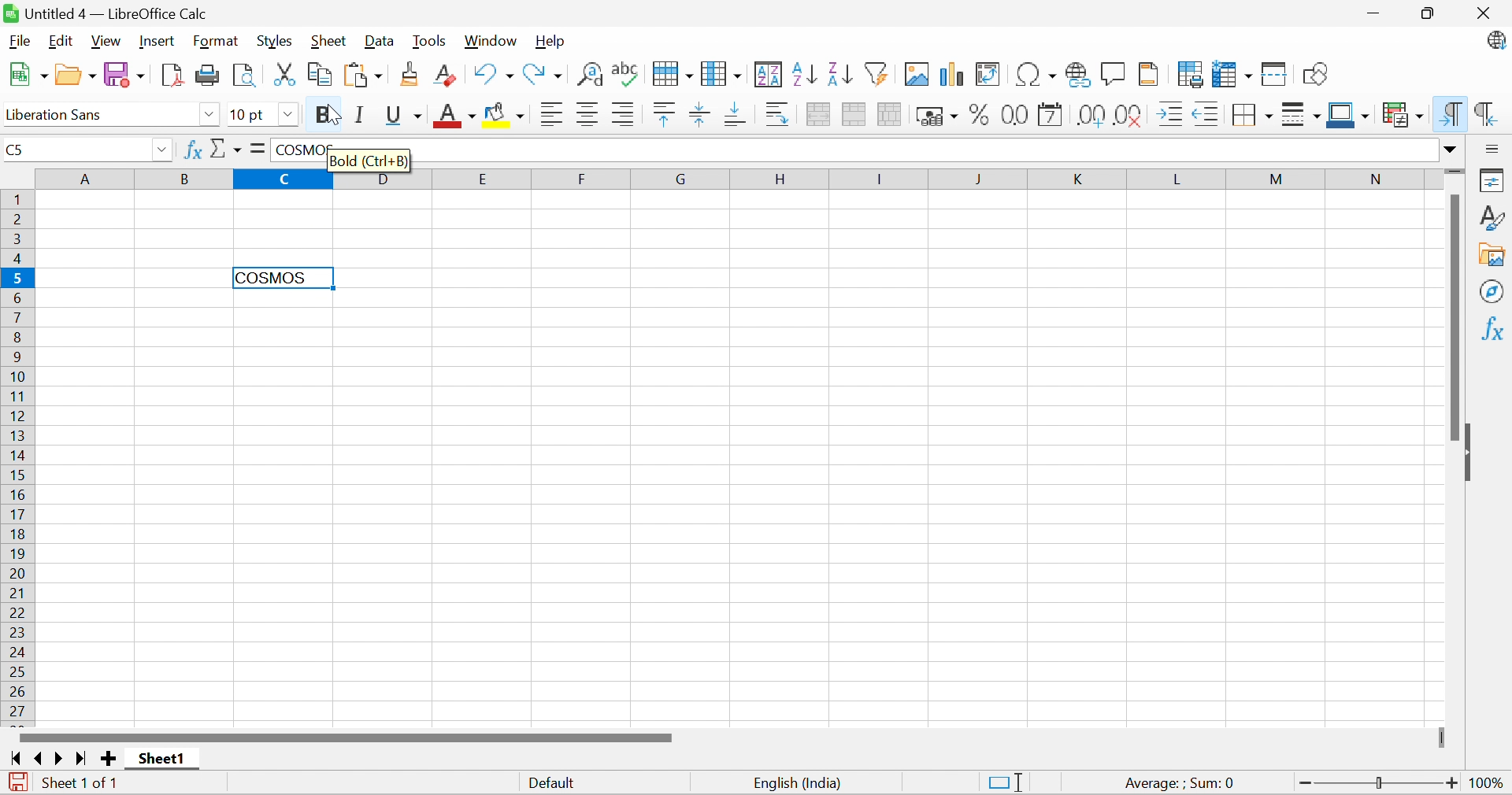 The width and height of the screenshot is (1512, 795). What do you see at coordinates (952, 76) in the screenshot?
I see `Insert Chart` at bounding box center [952, 76].